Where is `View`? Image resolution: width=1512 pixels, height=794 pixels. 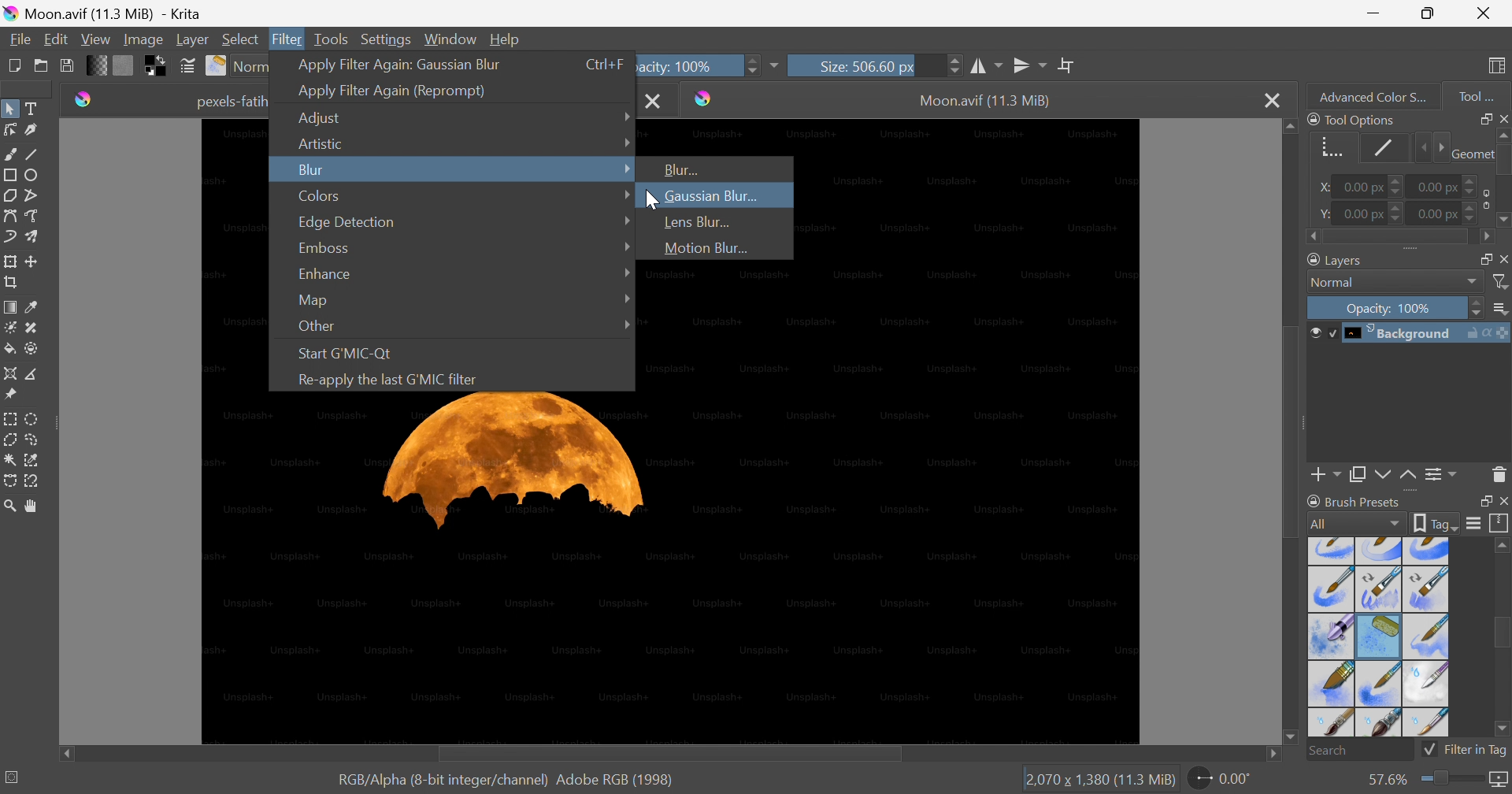 View is located at coordinates (95, 40).